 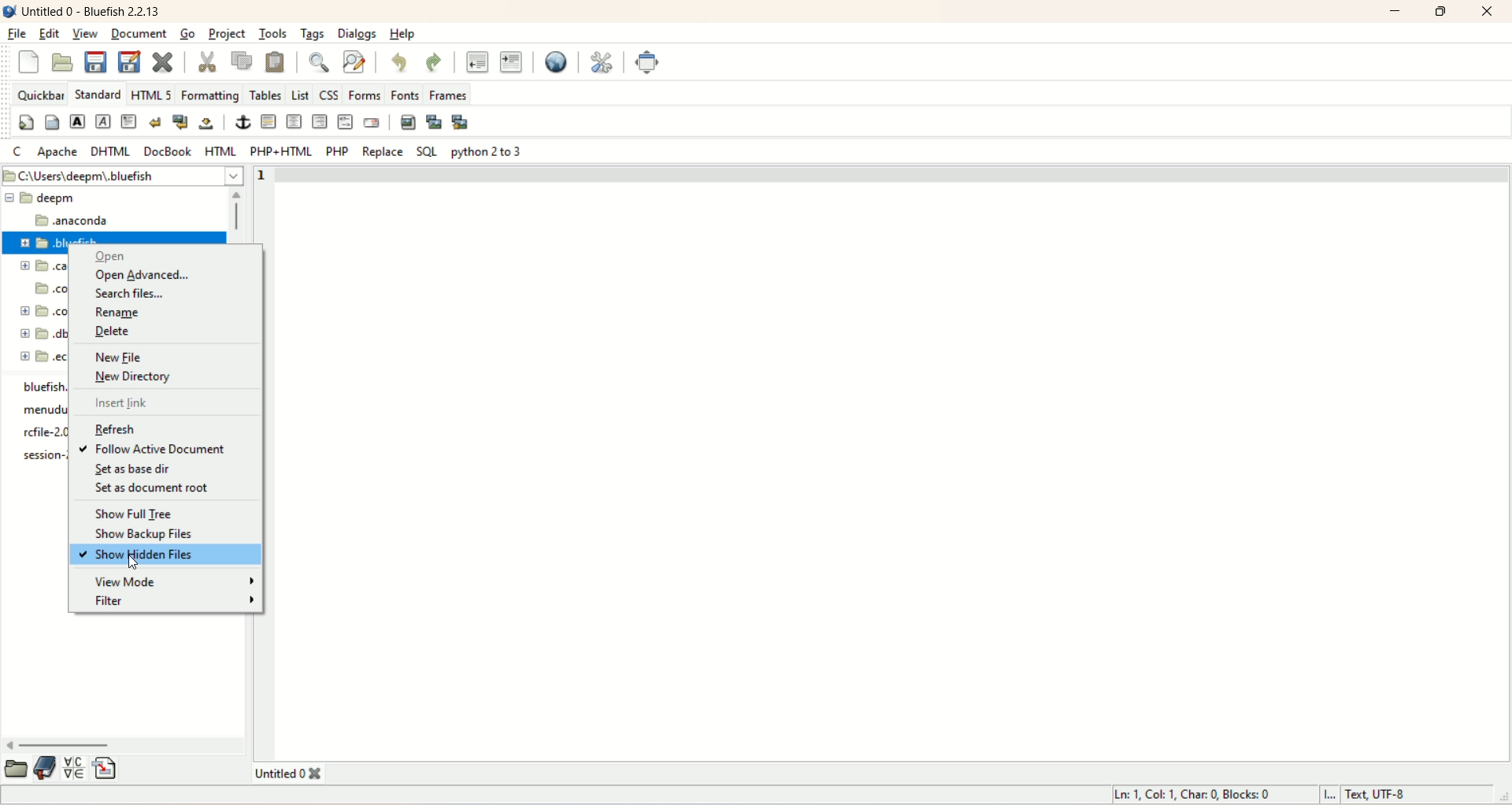 I want to click on email, so click(x=374, y=124).